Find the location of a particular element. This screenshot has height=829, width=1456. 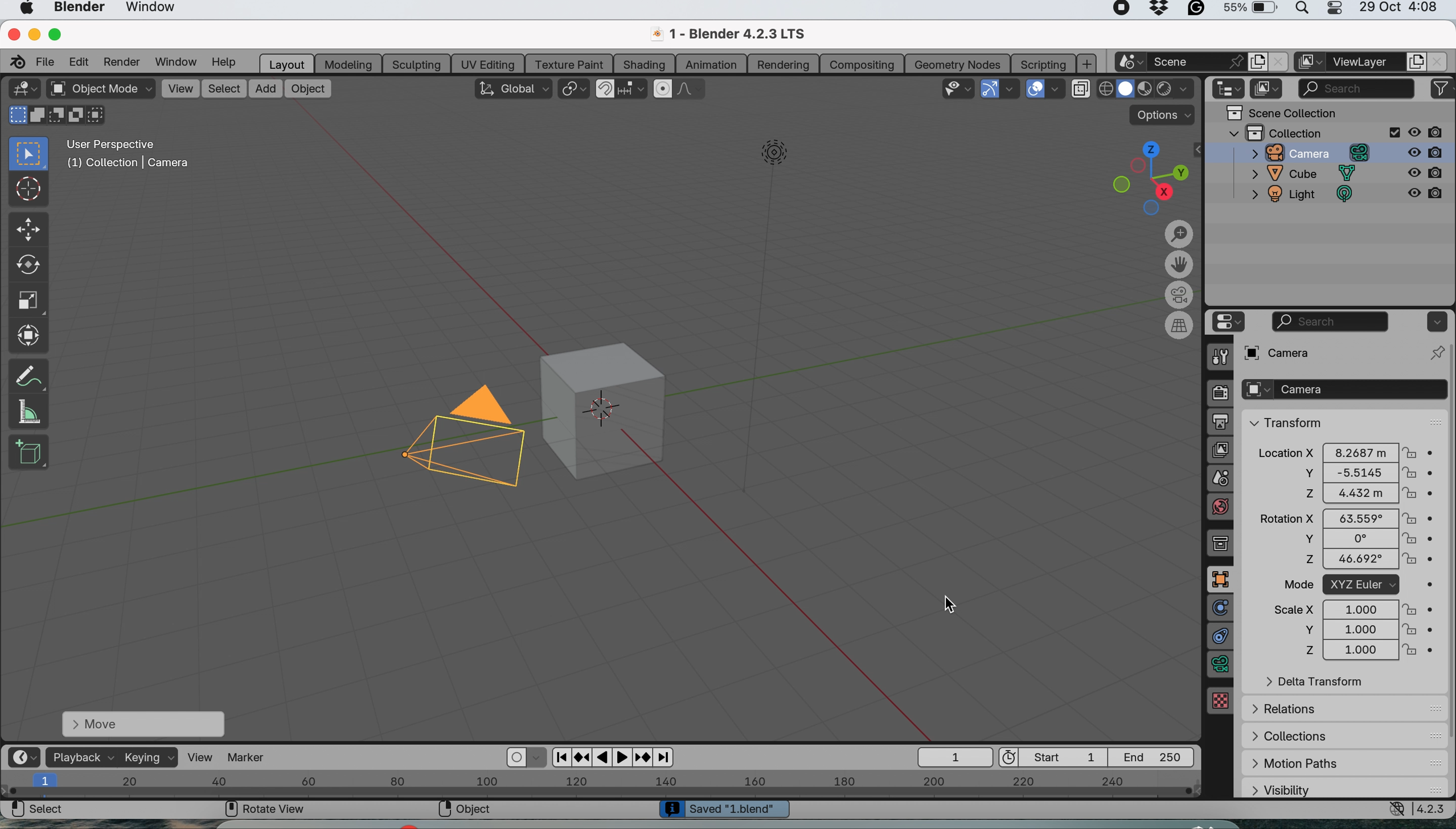

render is located at coordinates (125, 61).